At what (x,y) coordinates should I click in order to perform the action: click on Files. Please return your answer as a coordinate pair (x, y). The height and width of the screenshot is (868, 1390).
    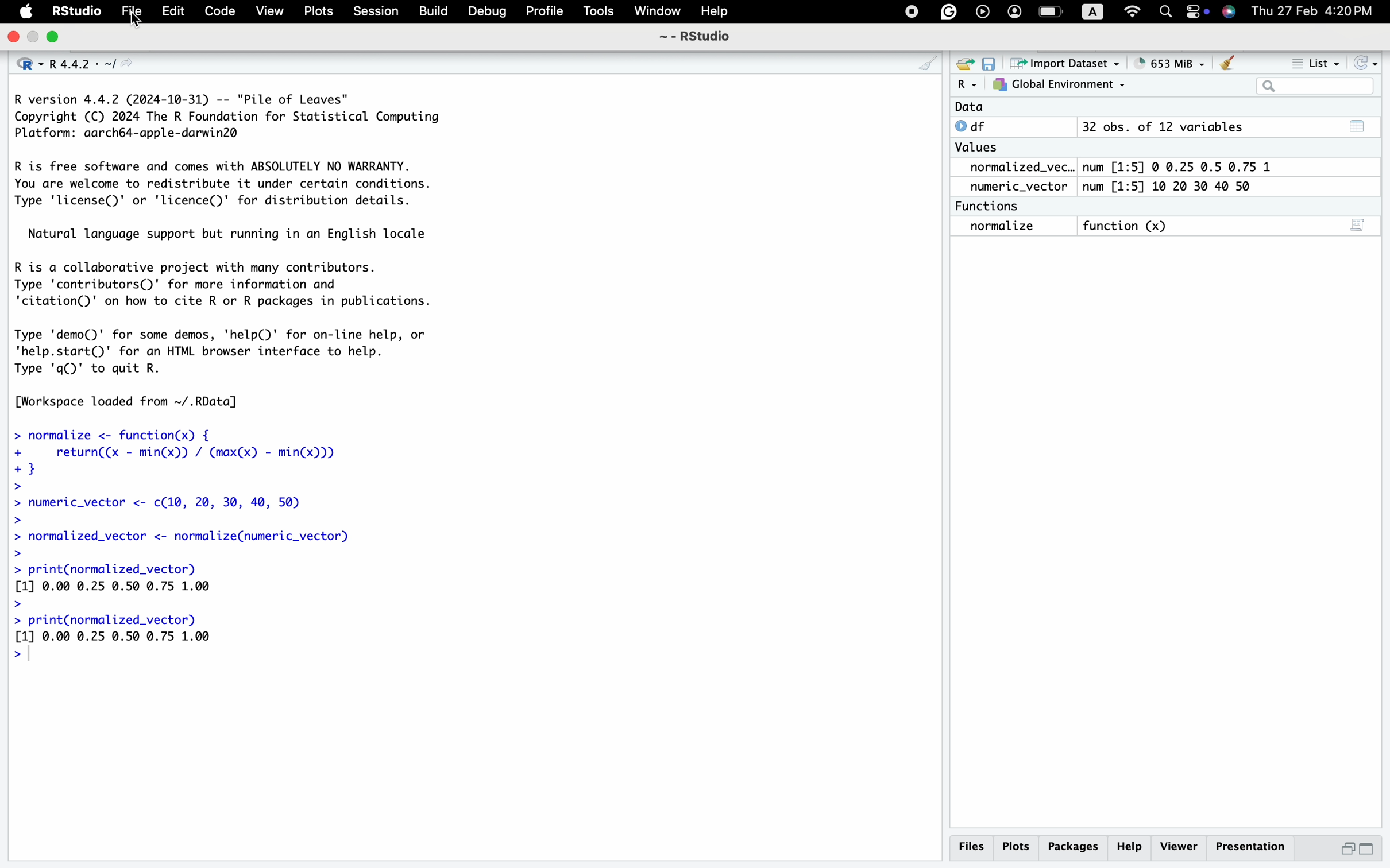
    Looking at the image, I should click on (970, 846).